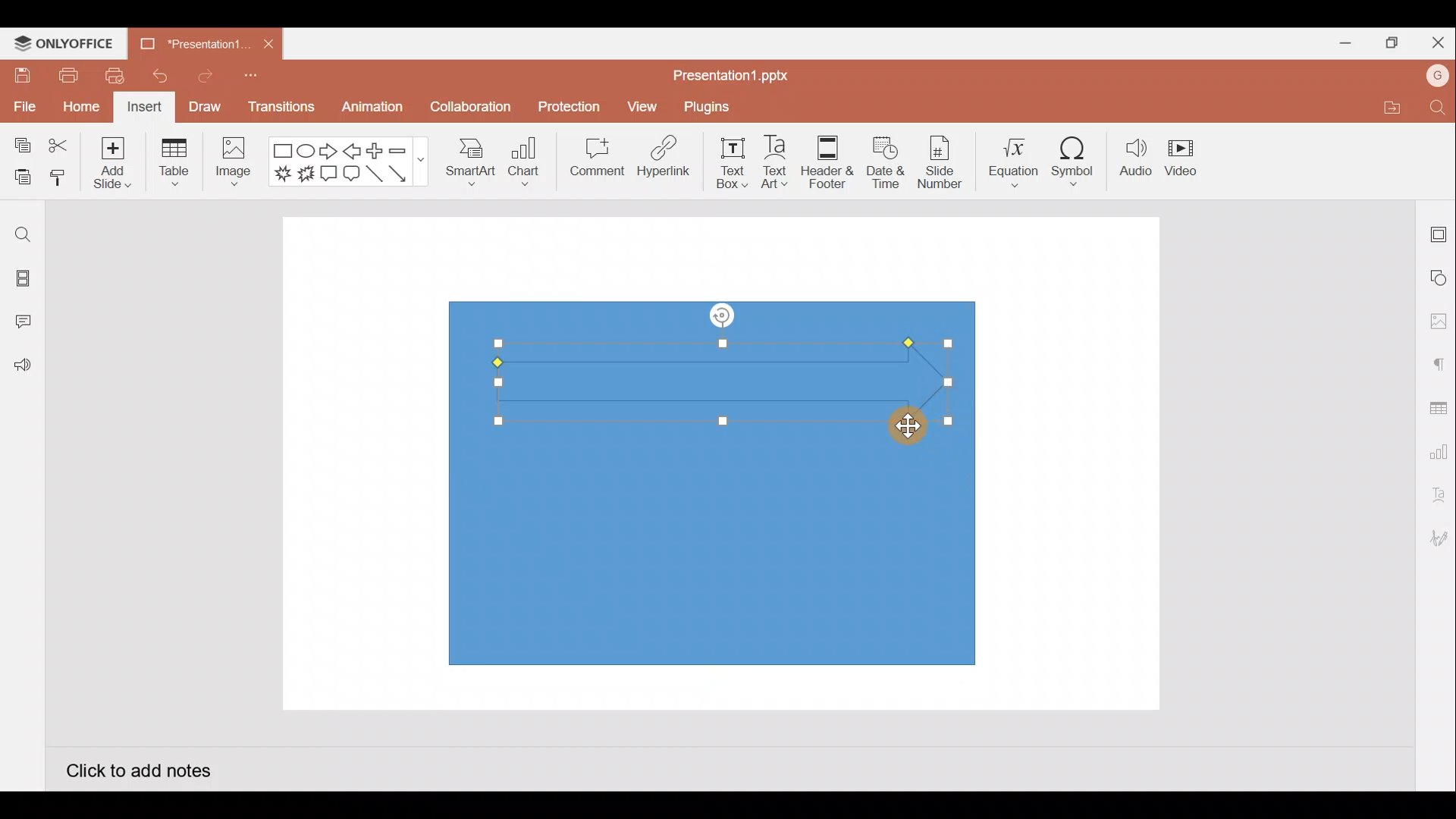 This screenshot has height=819, width=1456. What do you see at coordinates (717, 105) in the screenshot?
I see `Plugins` at bounding box center [717, 105].